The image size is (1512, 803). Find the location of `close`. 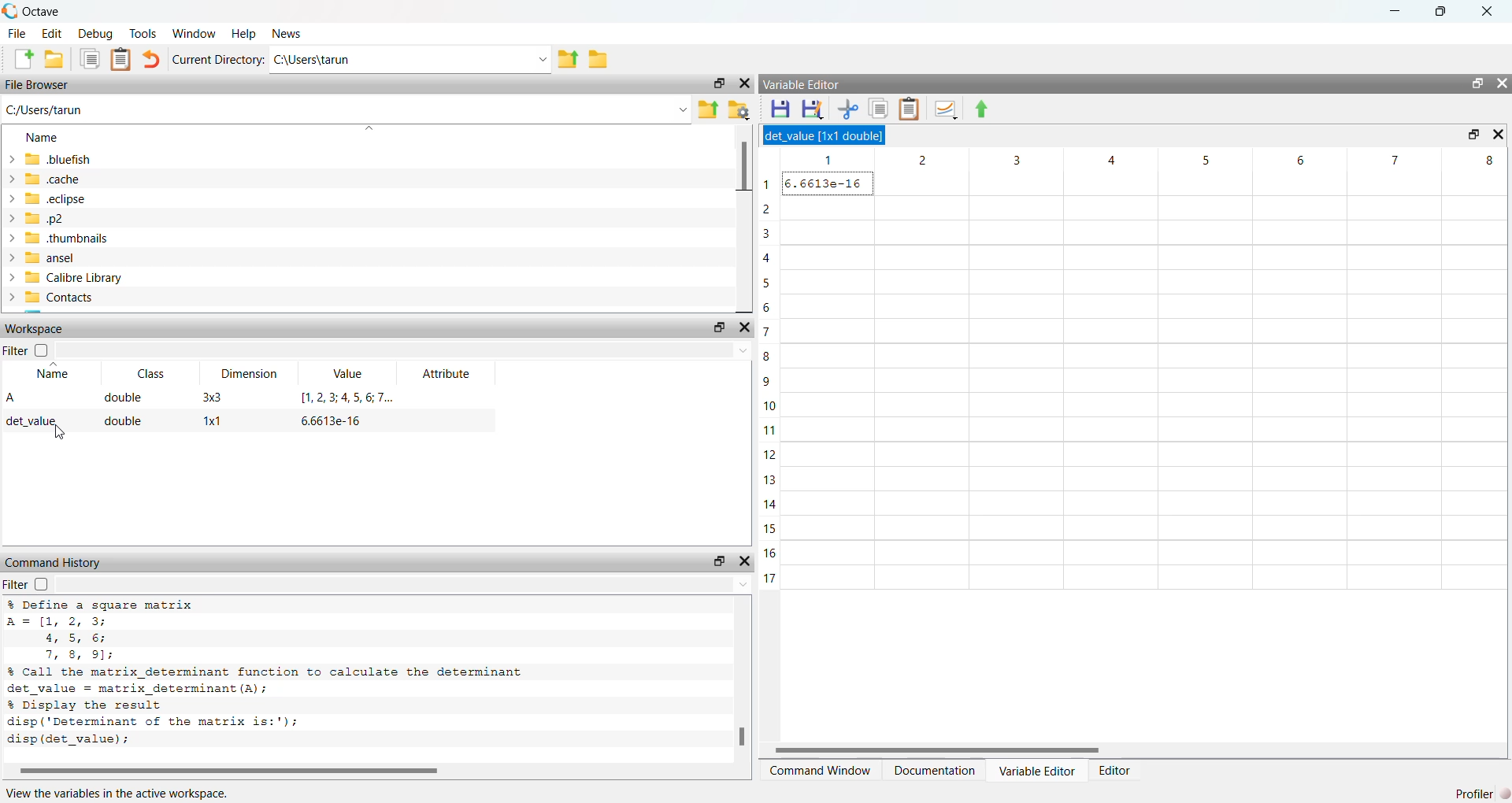

close is located at coordinates (1500, 135).